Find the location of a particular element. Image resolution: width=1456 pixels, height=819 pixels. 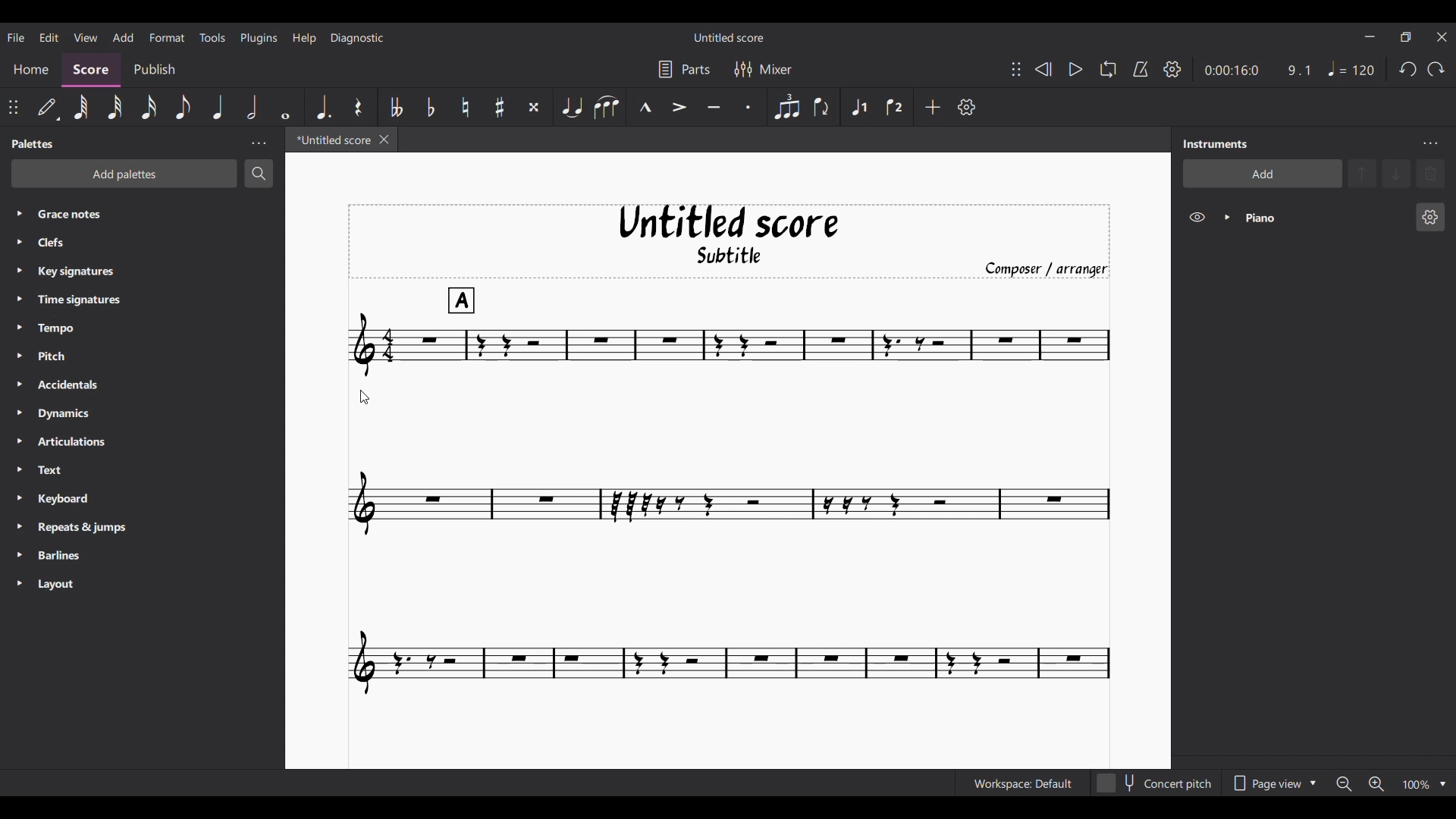

Close current score tab is located at coordinates (384, 140).